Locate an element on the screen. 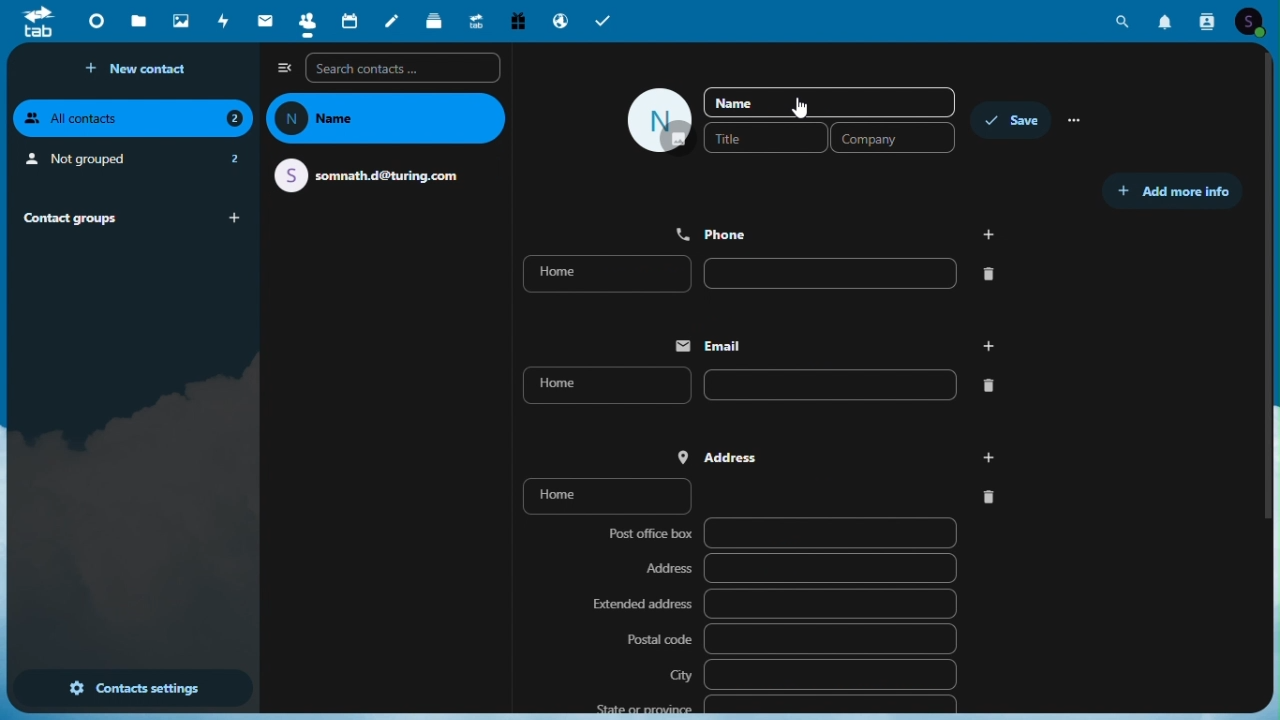  Contact groups is located at coordinates (106, 217).